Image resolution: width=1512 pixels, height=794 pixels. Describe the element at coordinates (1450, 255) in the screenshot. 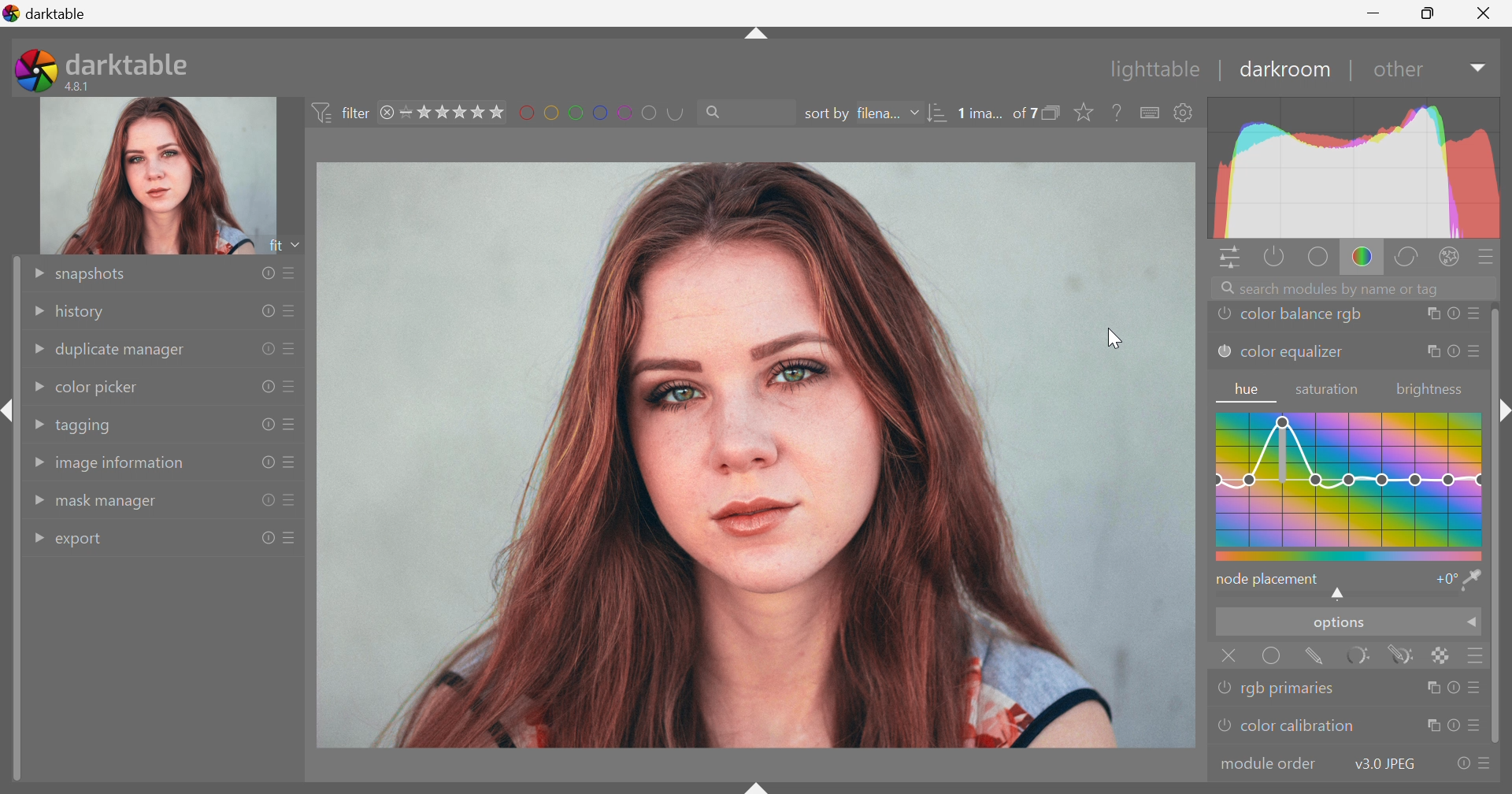

I see `effect` at that location.